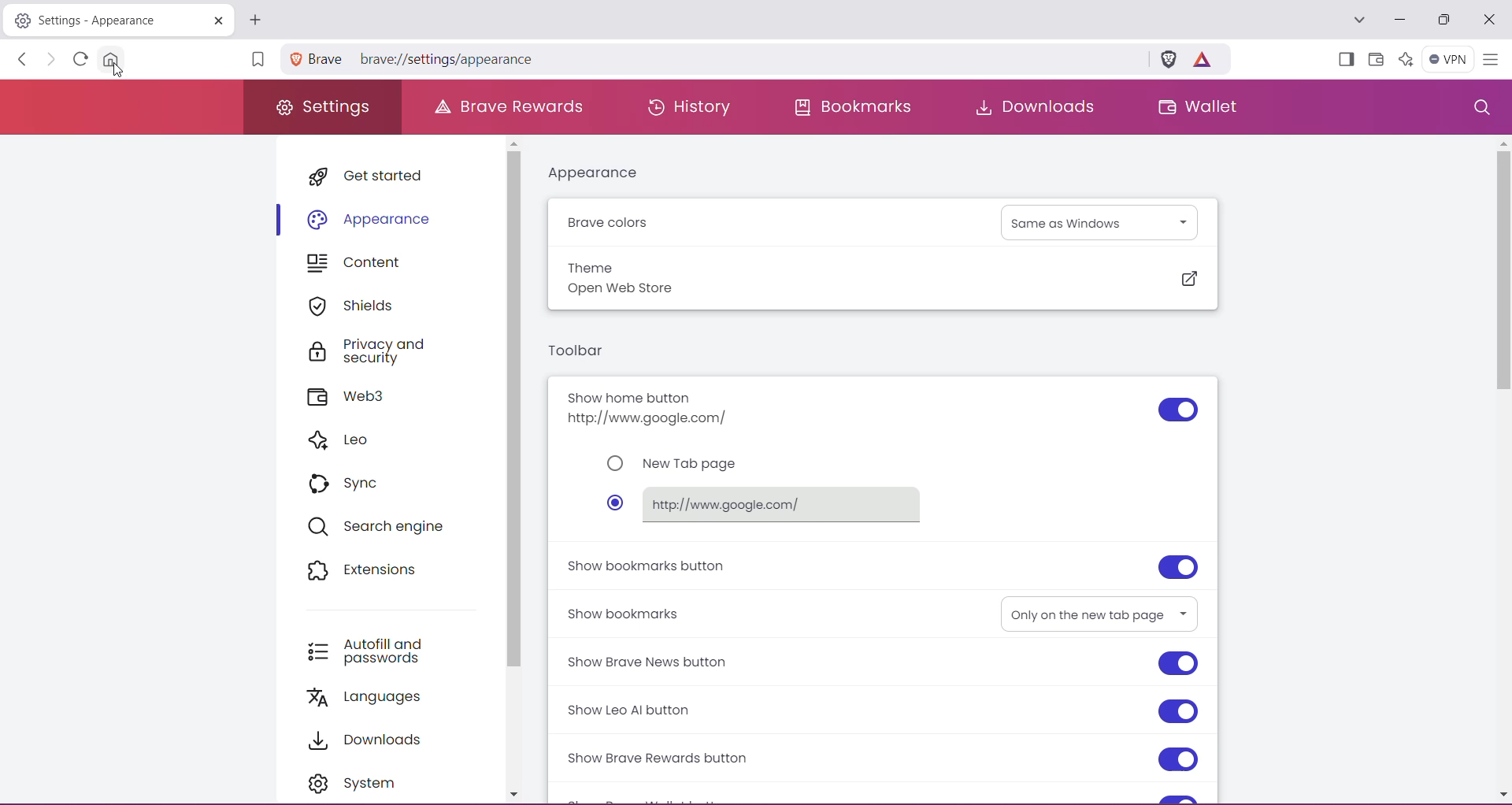  What do you see at coordinates (78, 58) in the screenshot?
I see `Reload this page` at bounding box center [78, 58].